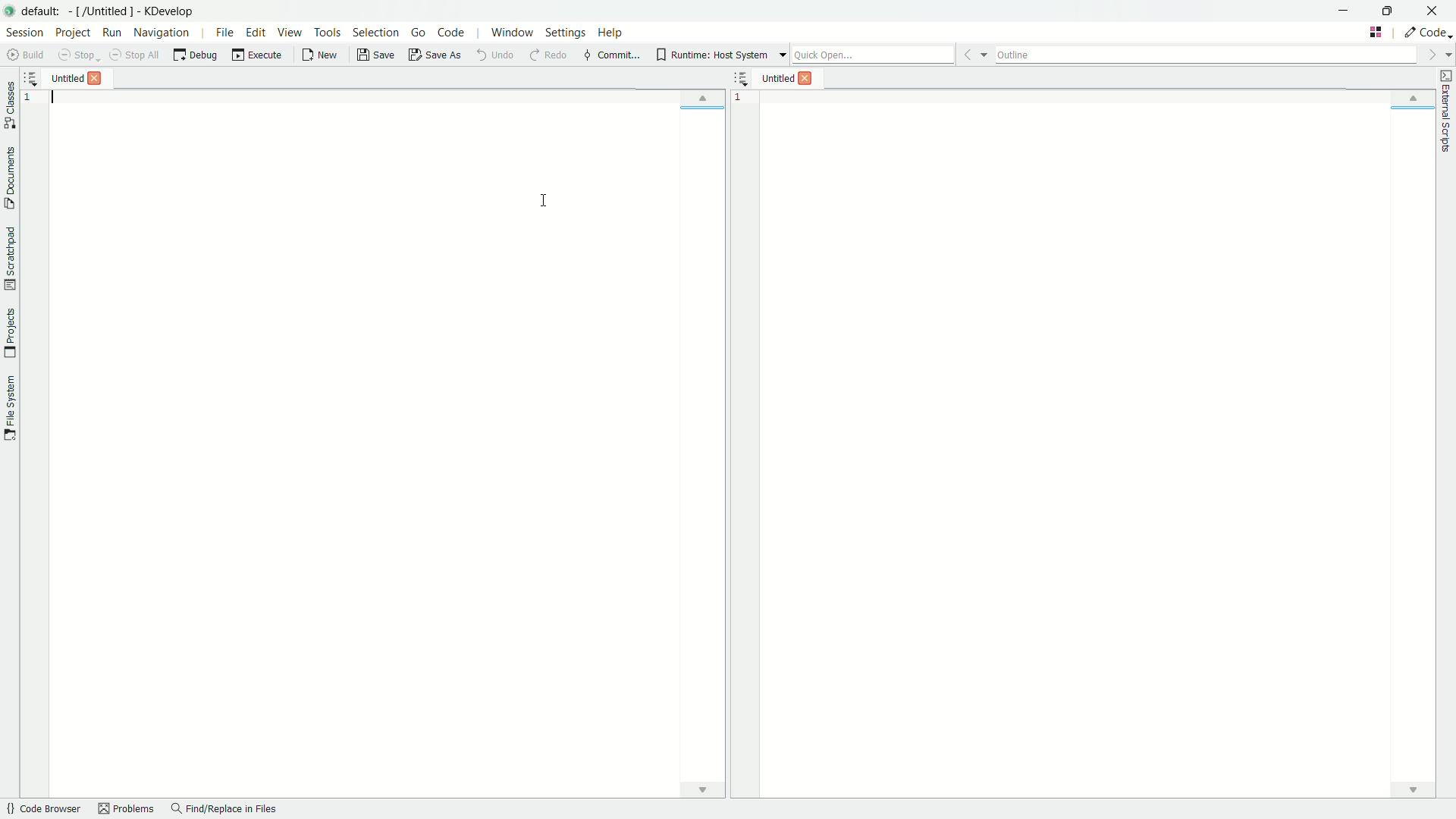 The width and height of the screenshot is (1456, 819). Describe the element at coordinates (104, 11) in the screenshot. I see `app name` at that location.